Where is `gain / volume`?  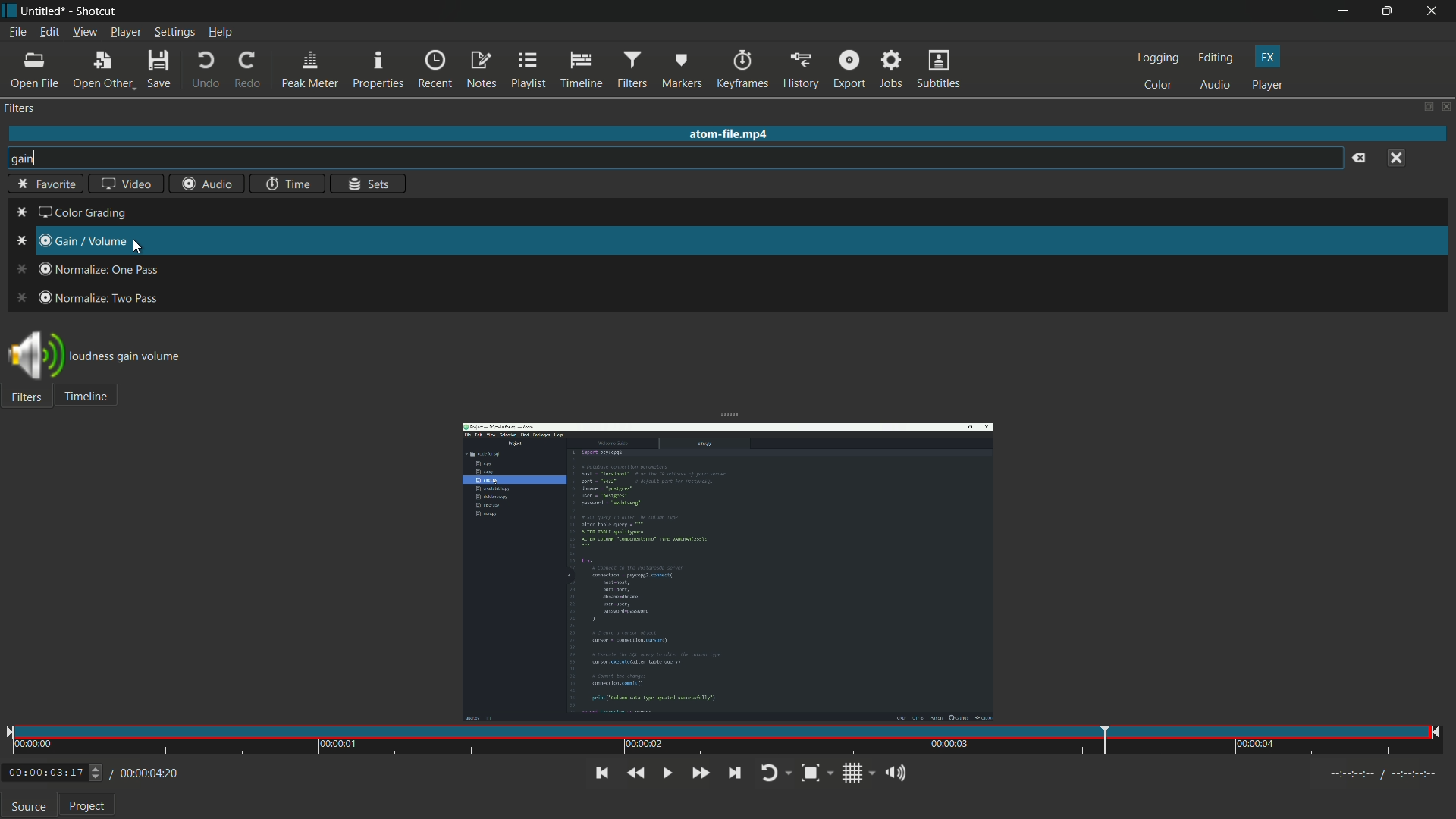 gain / volume is located at coordinates (71, 240).